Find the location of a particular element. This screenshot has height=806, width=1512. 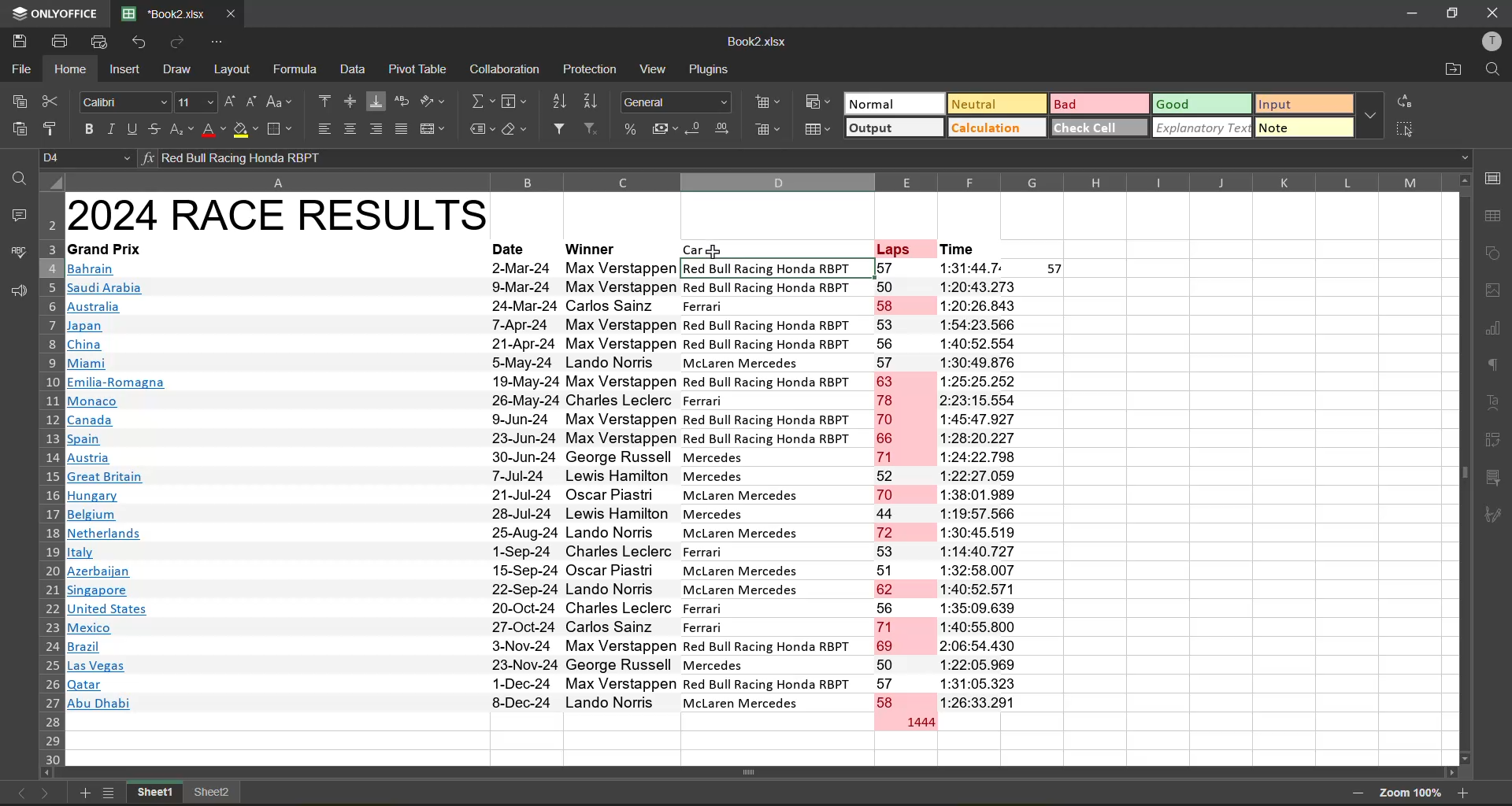

charts is located at coordinates (1493, 331).